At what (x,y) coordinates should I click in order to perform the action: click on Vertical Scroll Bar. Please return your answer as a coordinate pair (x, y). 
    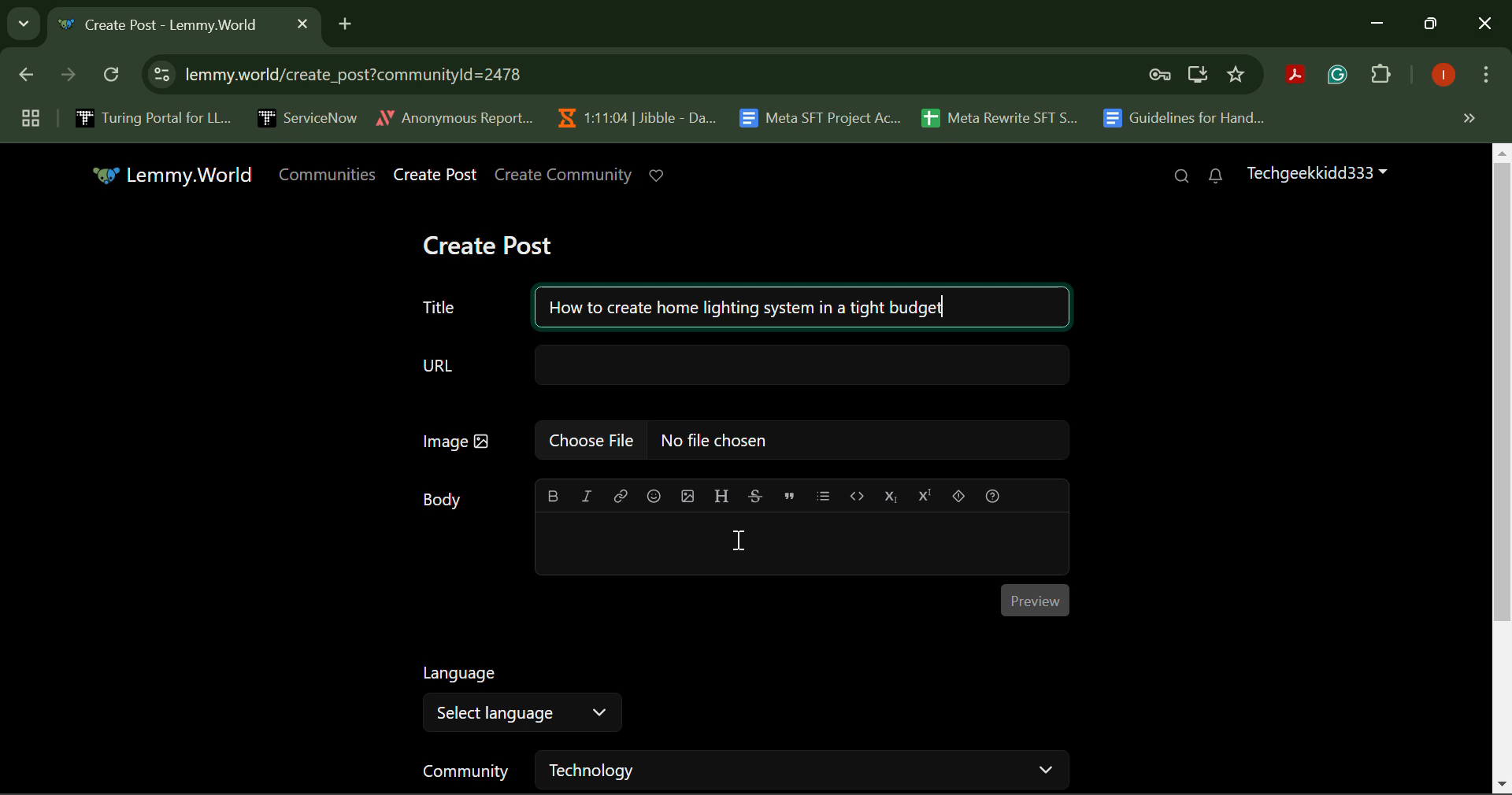
    Looking at the image, I should click on (1503, 469).